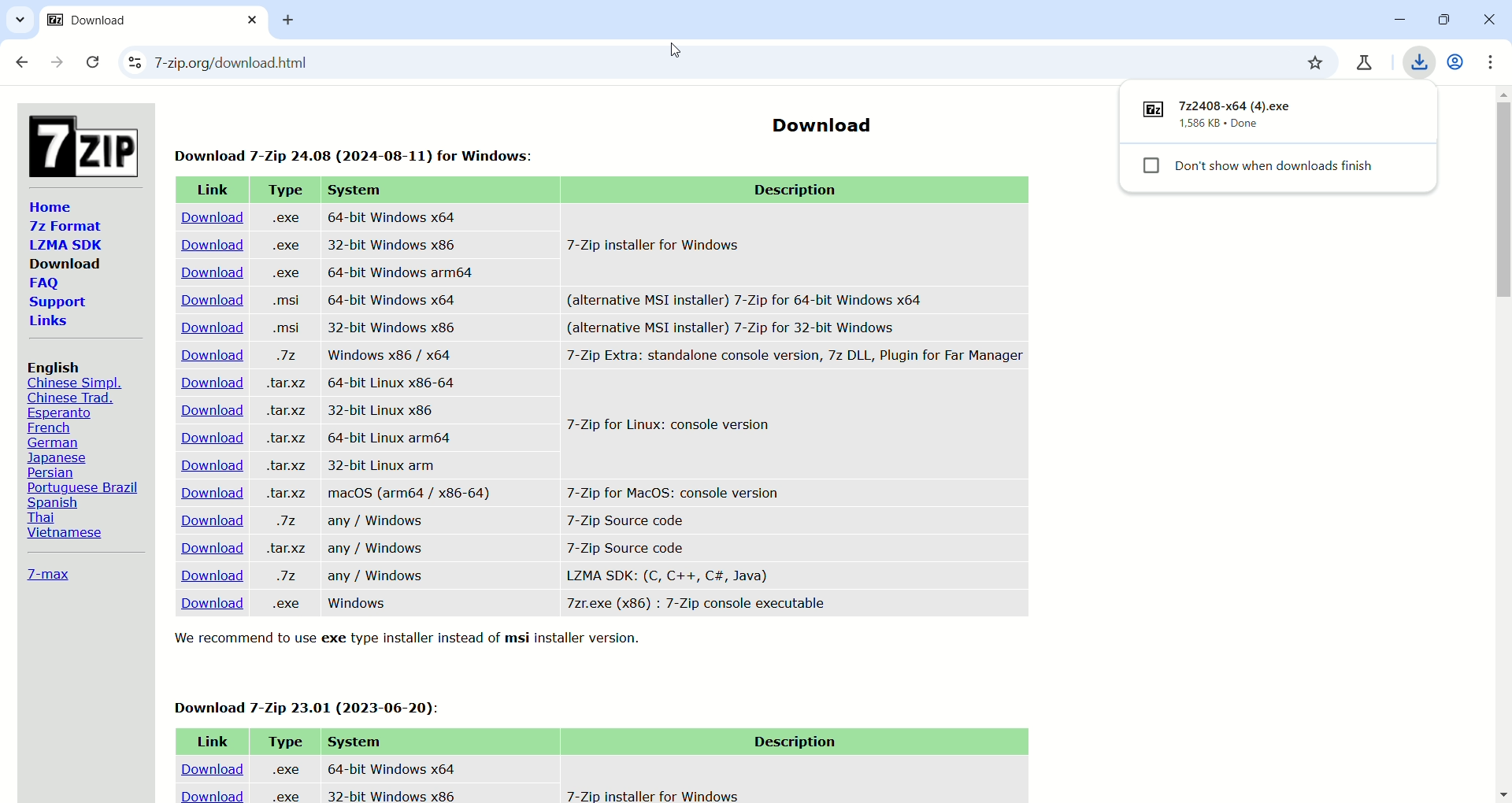 The image size is (1512, 803). What do you see at coordinates (393, 383) in the screenshot?
I see `64-bit Linux x86-64` at bounding box center [393, 383].